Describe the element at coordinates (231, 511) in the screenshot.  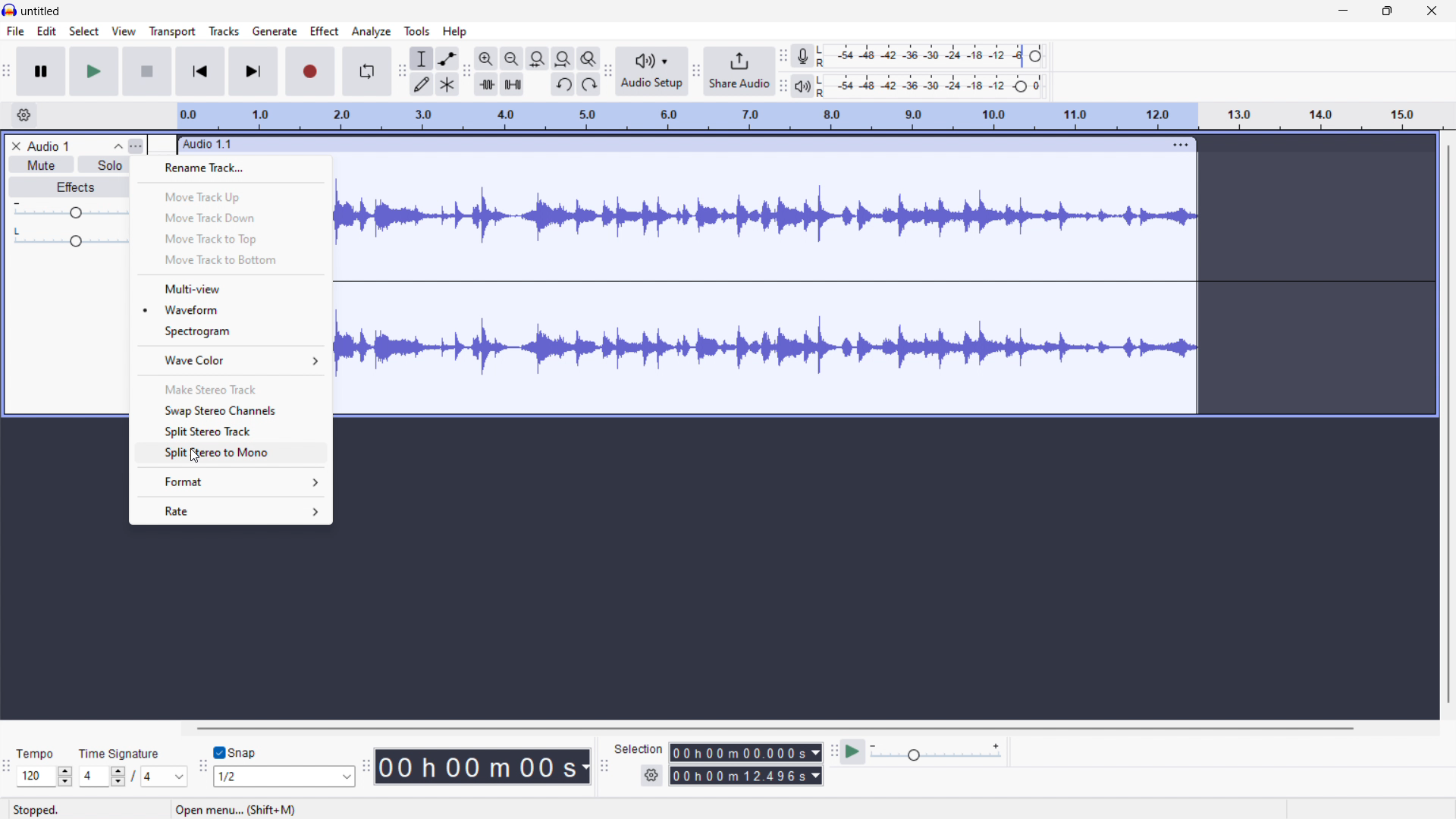
I see `rate` at that location.